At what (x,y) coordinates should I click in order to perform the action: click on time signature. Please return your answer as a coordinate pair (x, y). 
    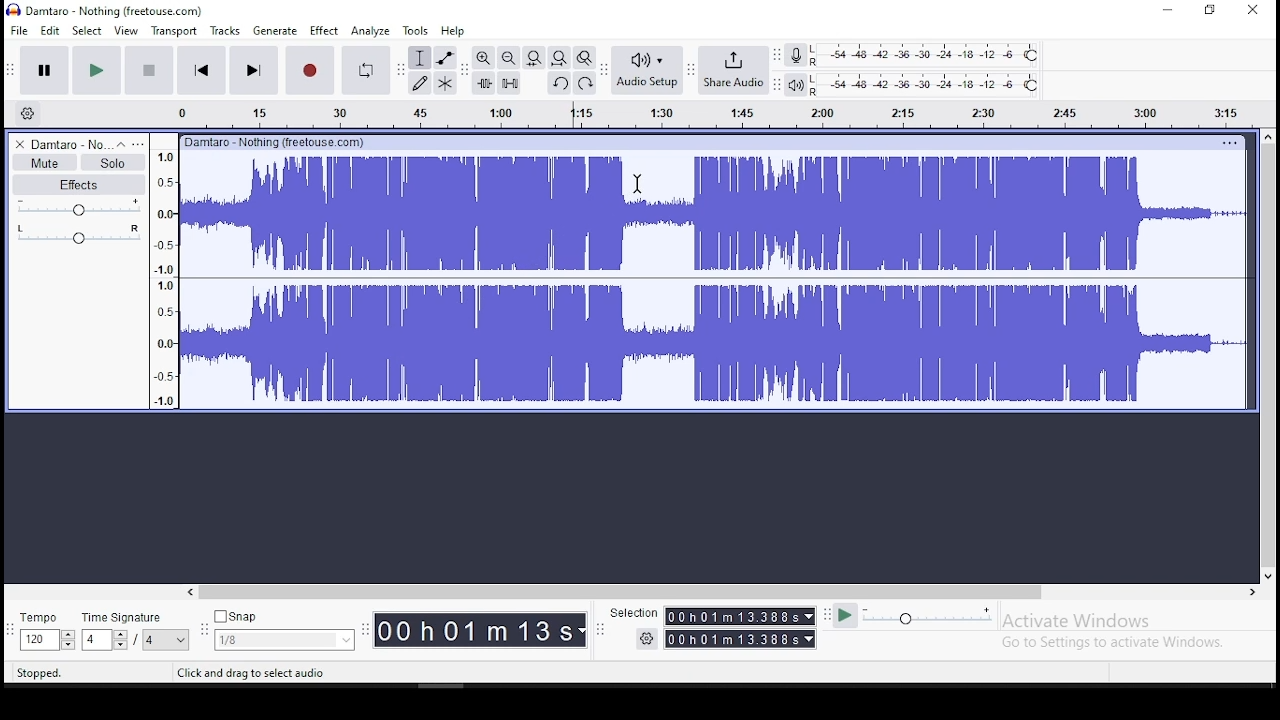
    Looking at the image, I should click on (122, 617).